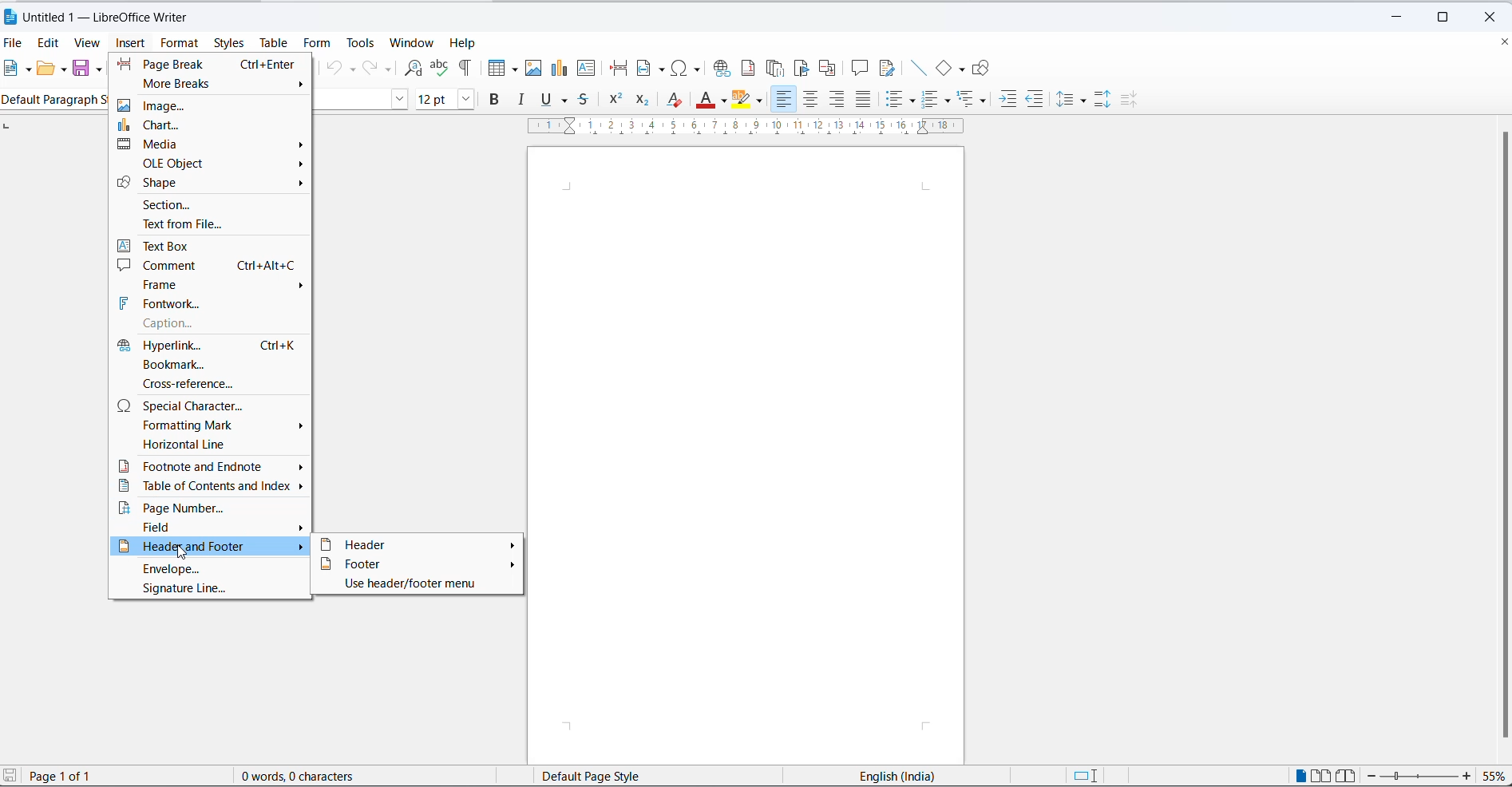 Image resolution: width=1512 pixels, height=787 pixels. What do you see at coordinates (1347, 777) in the screenshot?
I see `book view` at bounding box center [1347, 777].